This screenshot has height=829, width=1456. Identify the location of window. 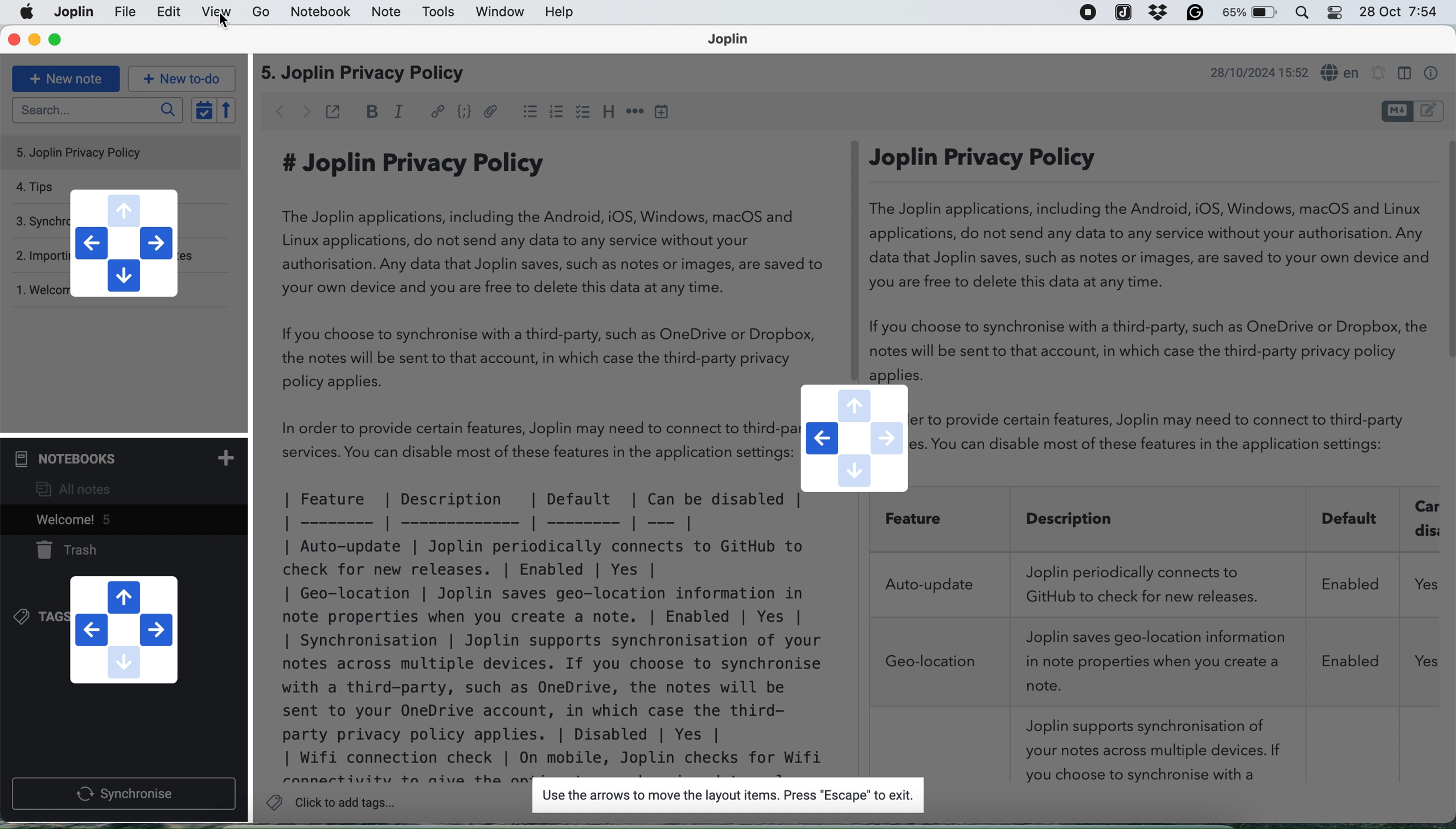
(497, 13).